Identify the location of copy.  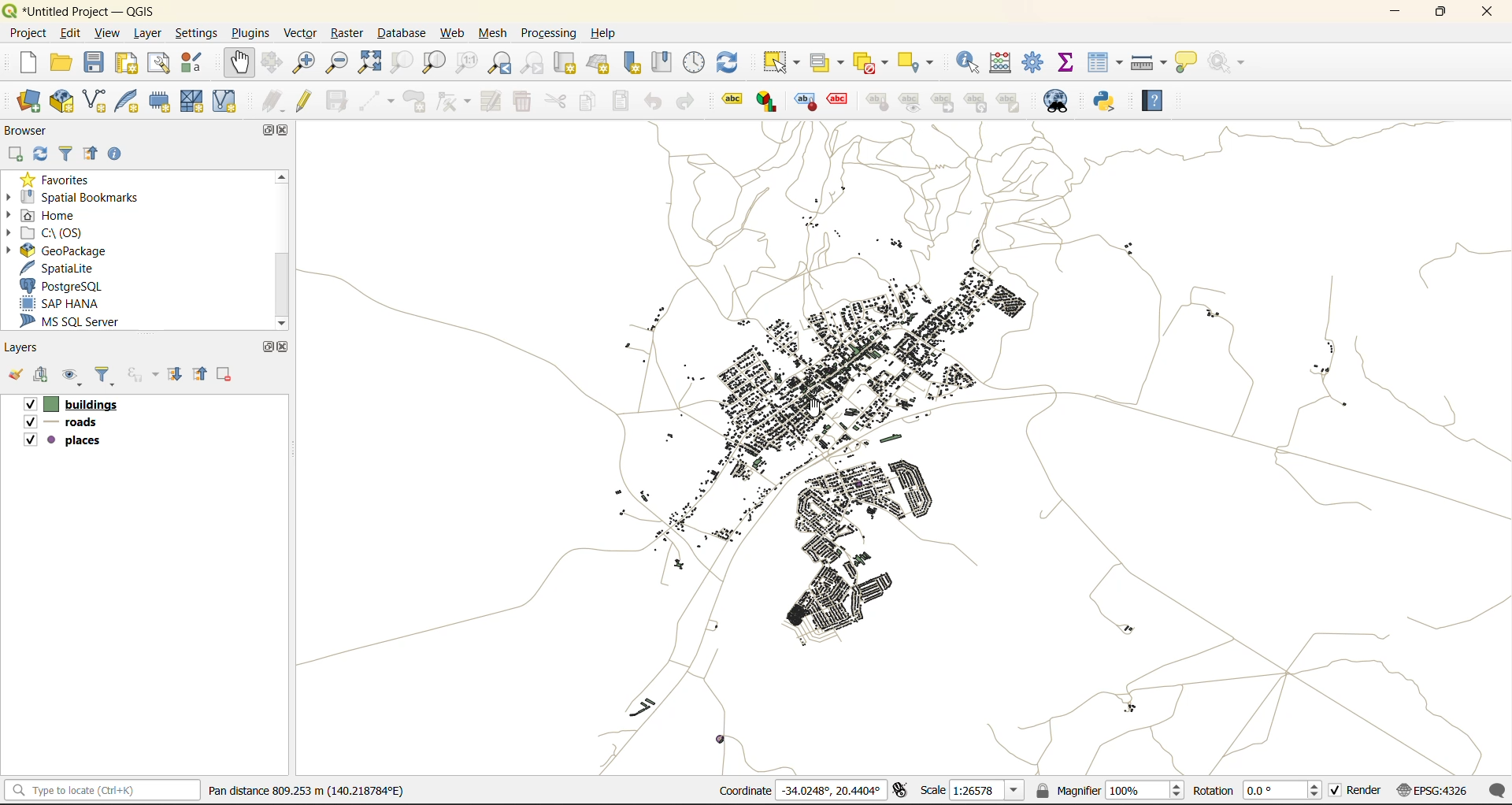
(587, 102).